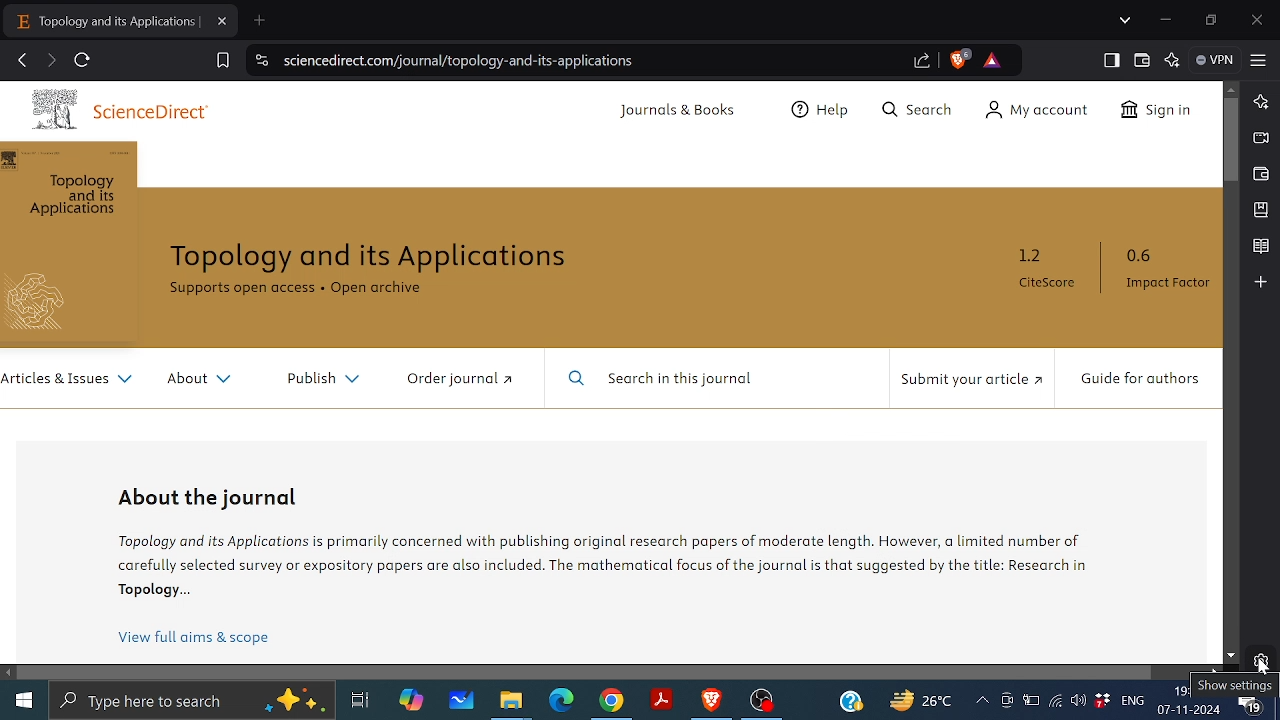  What do you see at coordinates (19, 58) in the screenshot?
I see `Go back` at bounding box center [19, 58].